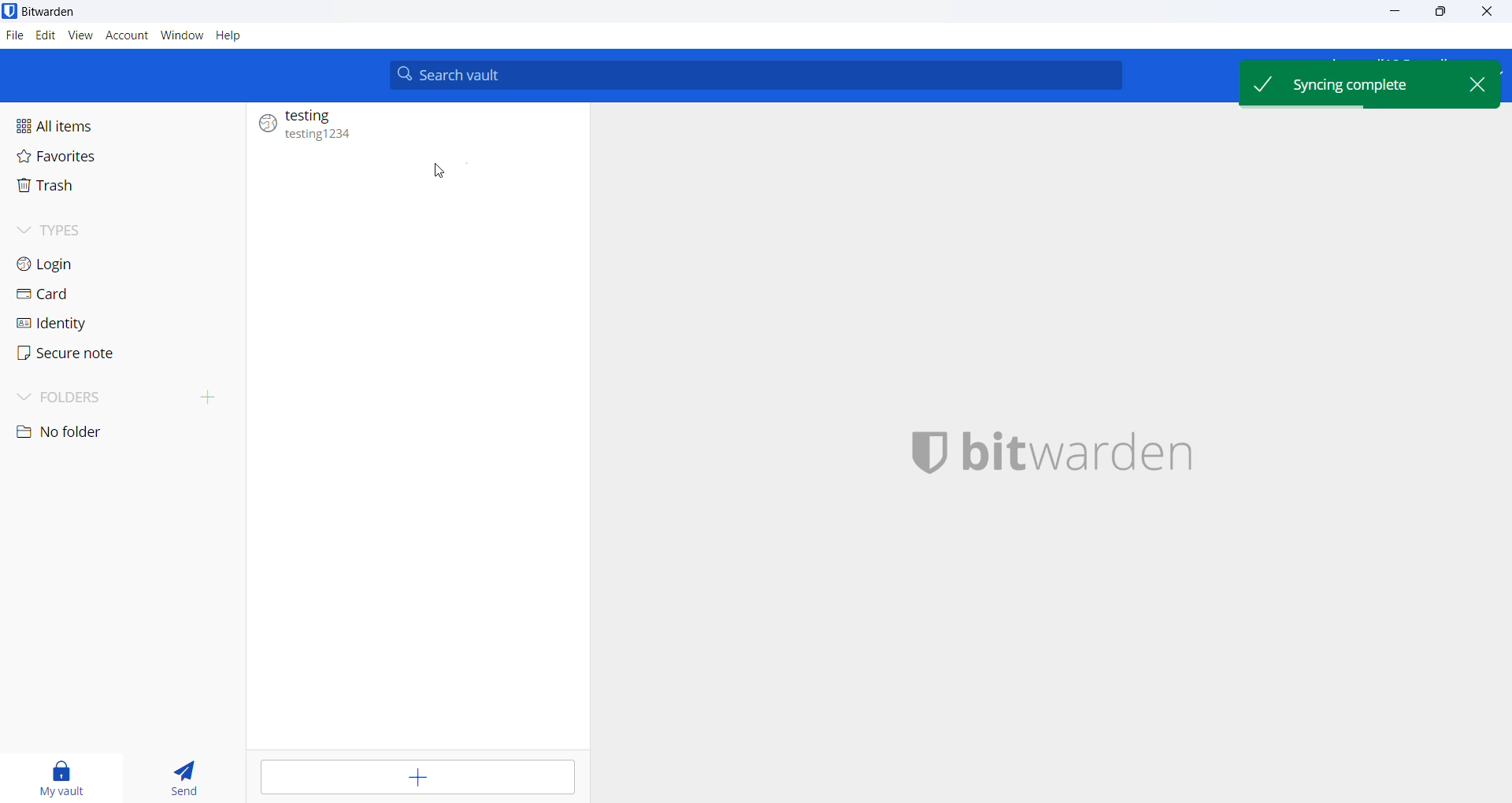 This screenshot has height=803, width=1512. Describe the element at coordinates (79, 35) in the screenshot. I see `view` at that location.